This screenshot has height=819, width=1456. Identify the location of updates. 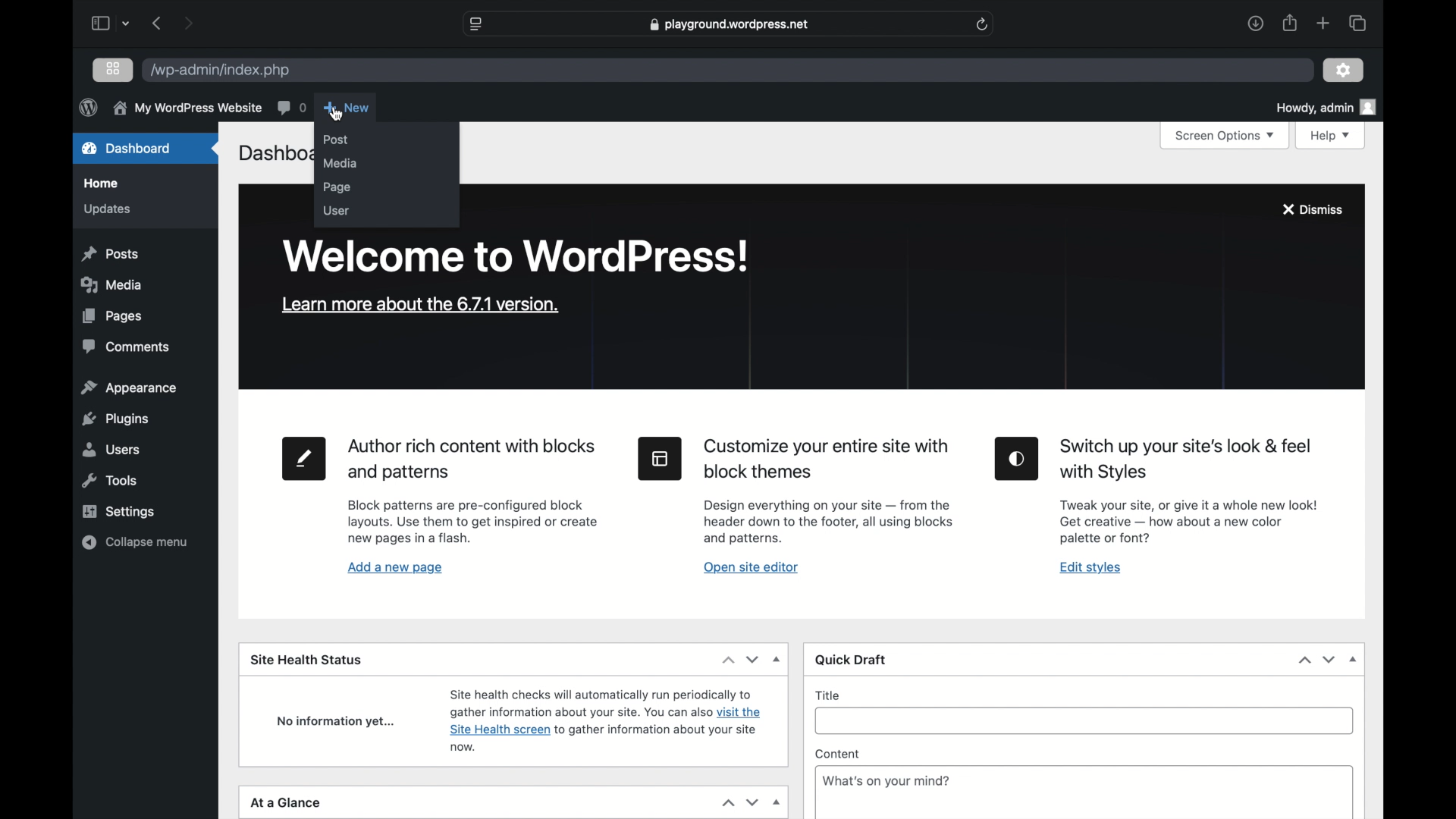
(106, 210).